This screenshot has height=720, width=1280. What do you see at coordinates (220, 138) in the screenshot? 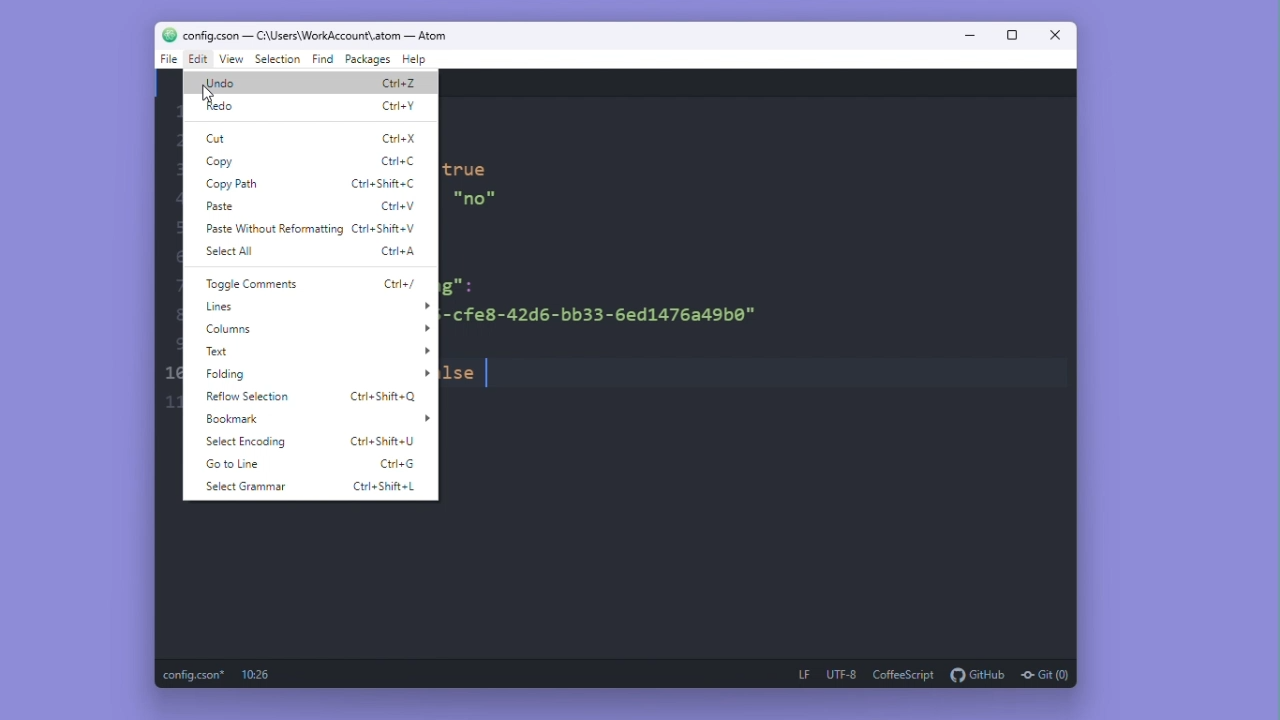
I see `Cut ` at bounding box center [220, 138].